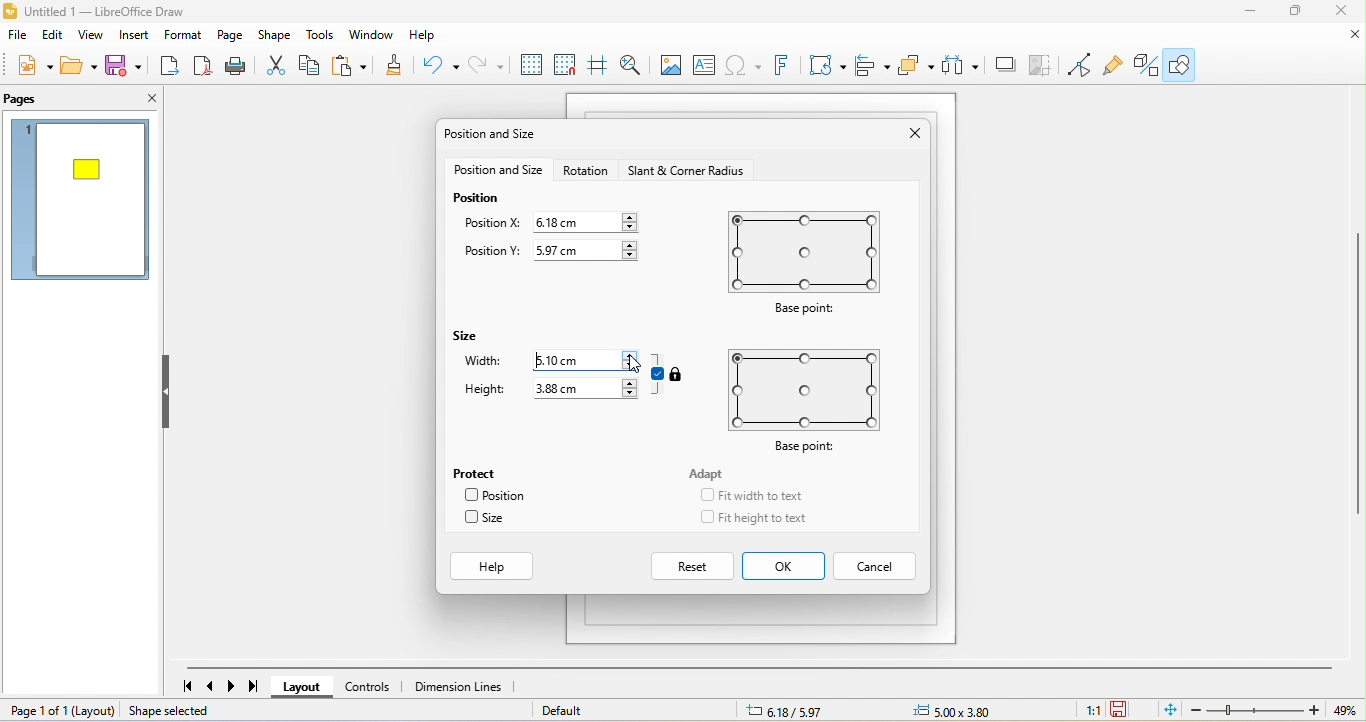  What do you see at coordinates (1244, 12) in the screenshot?
I see `minimize` at bounding box center [1244, 12].